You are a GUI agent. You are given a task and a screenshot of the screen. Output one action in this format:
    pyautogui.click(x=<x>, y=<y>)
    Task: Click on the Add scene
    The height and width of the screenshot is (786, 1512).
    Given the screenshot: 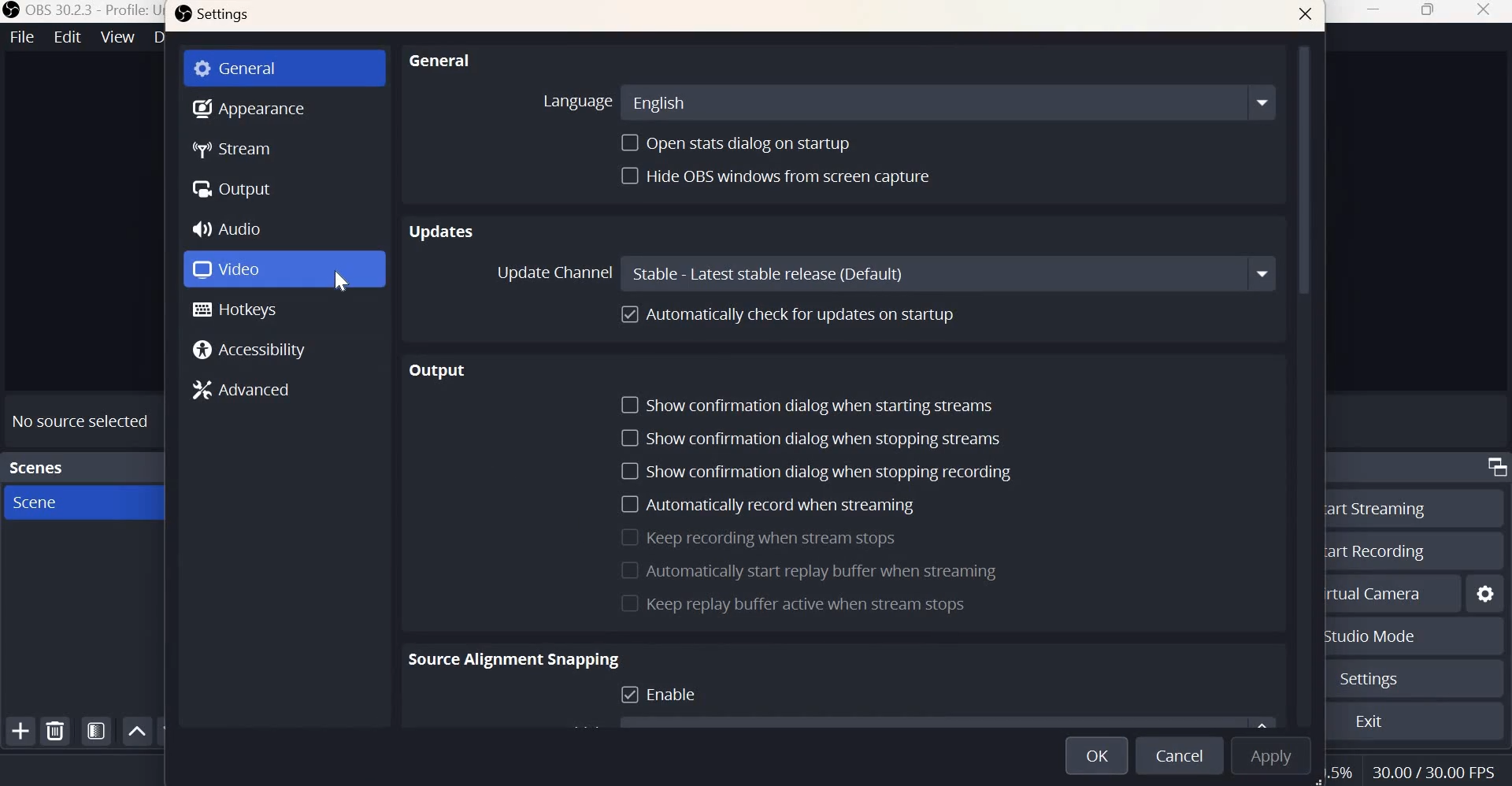 What is the action you would take?
    pyautogui.click(x=21, y=732)
    